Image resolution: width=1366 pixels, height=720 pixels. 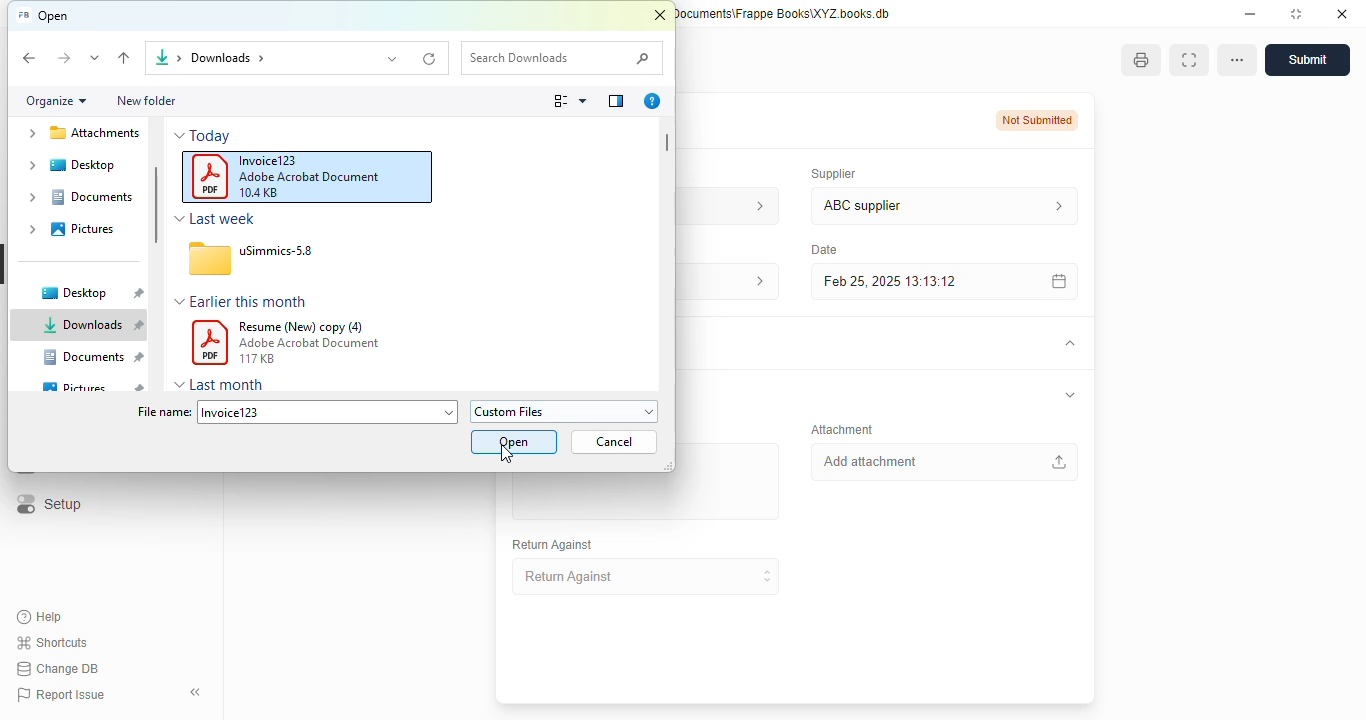 What do you see at coordinates (667, 142) in the screenshot?
I see `scroll bar` at bounding box center [667, 142].